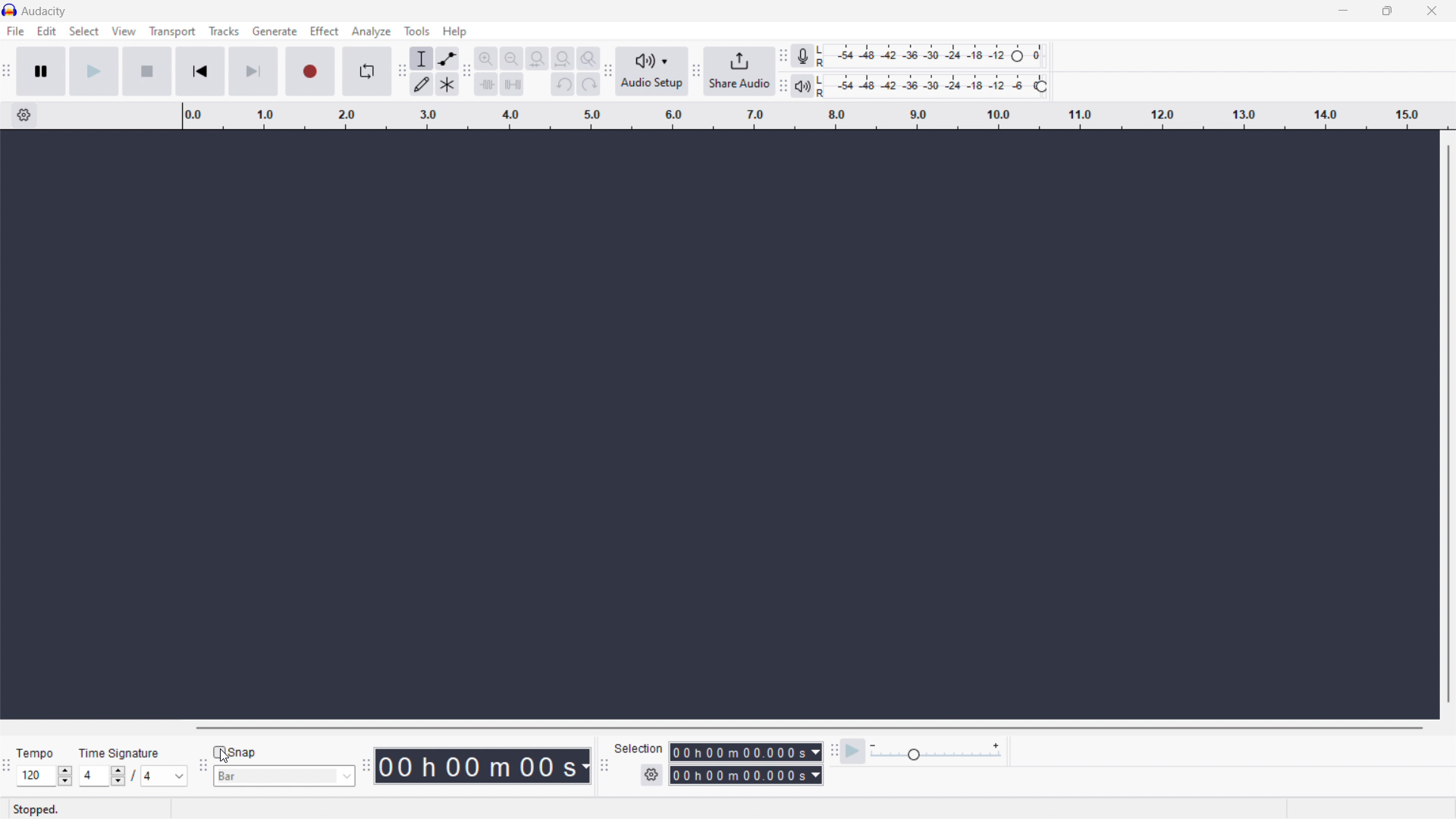  What do you see at coordinates (804, 726) in the screenshot?
I see `horizontal scrollbar` at bounding box center [804, 726].